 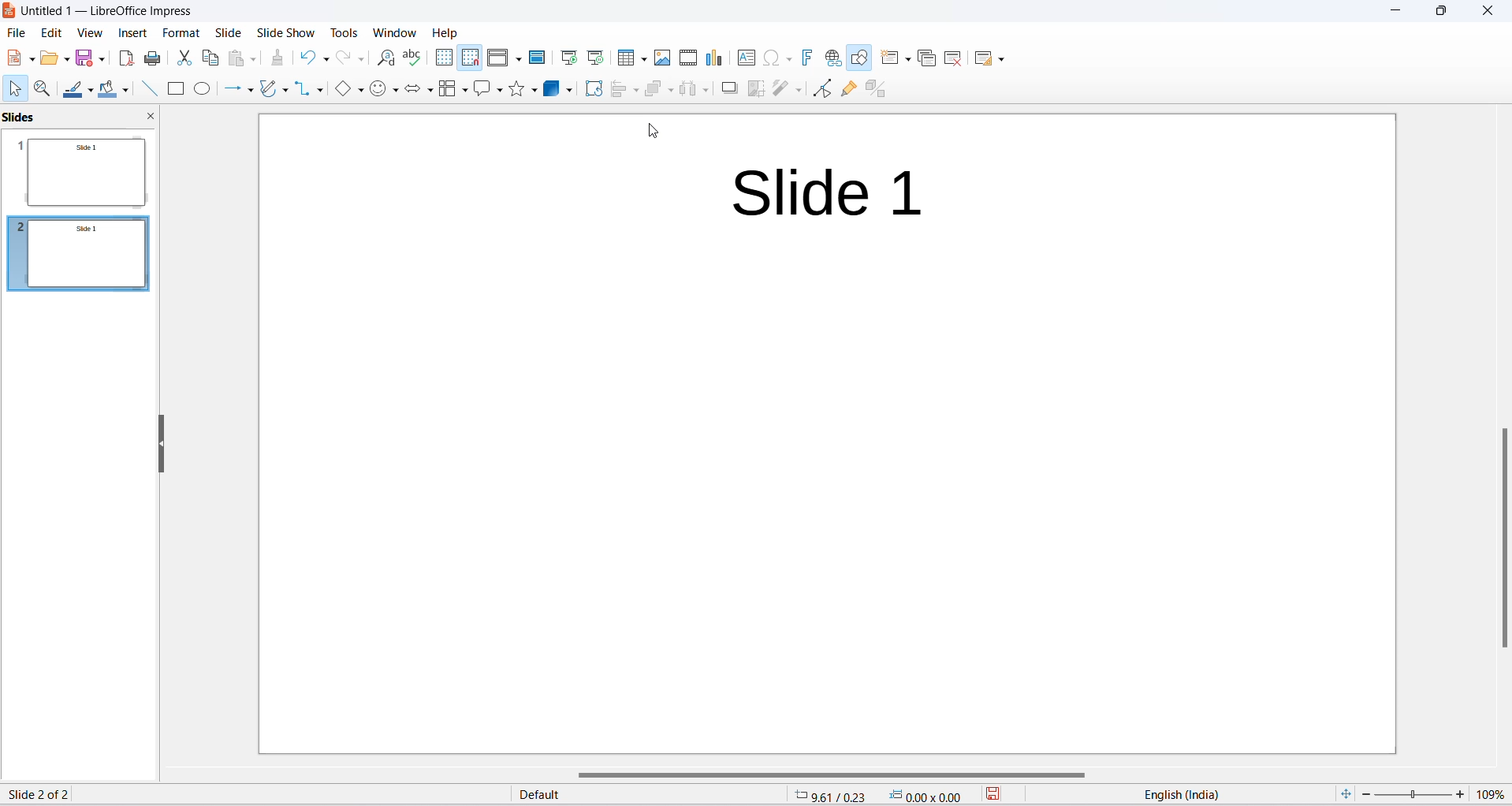 I want to click on Symbol shapes, so click(x=384, y=90).